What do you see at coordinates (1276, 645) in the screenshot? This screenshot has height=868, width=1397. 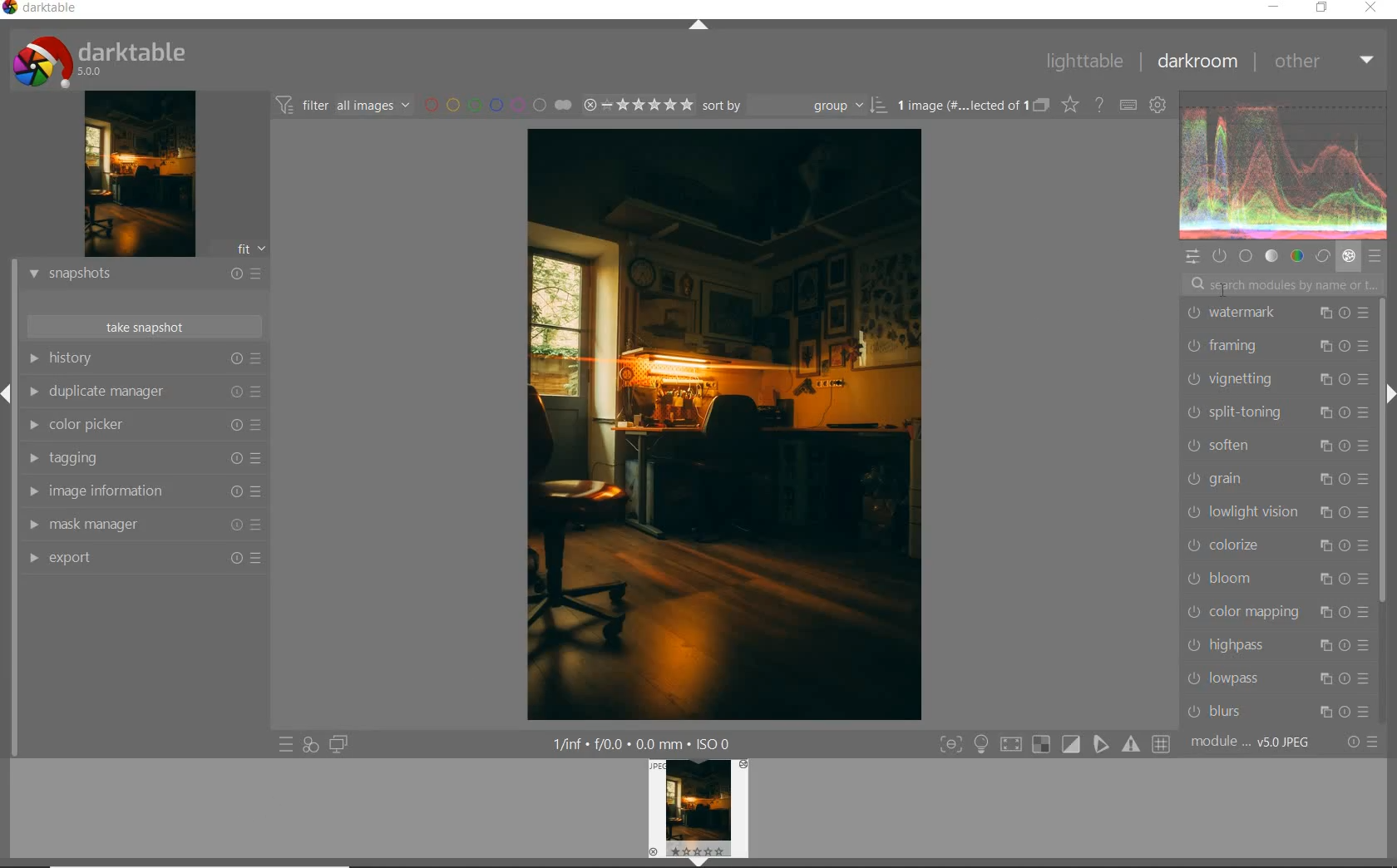 I see `highpass` at bounding box center [1276, 645].